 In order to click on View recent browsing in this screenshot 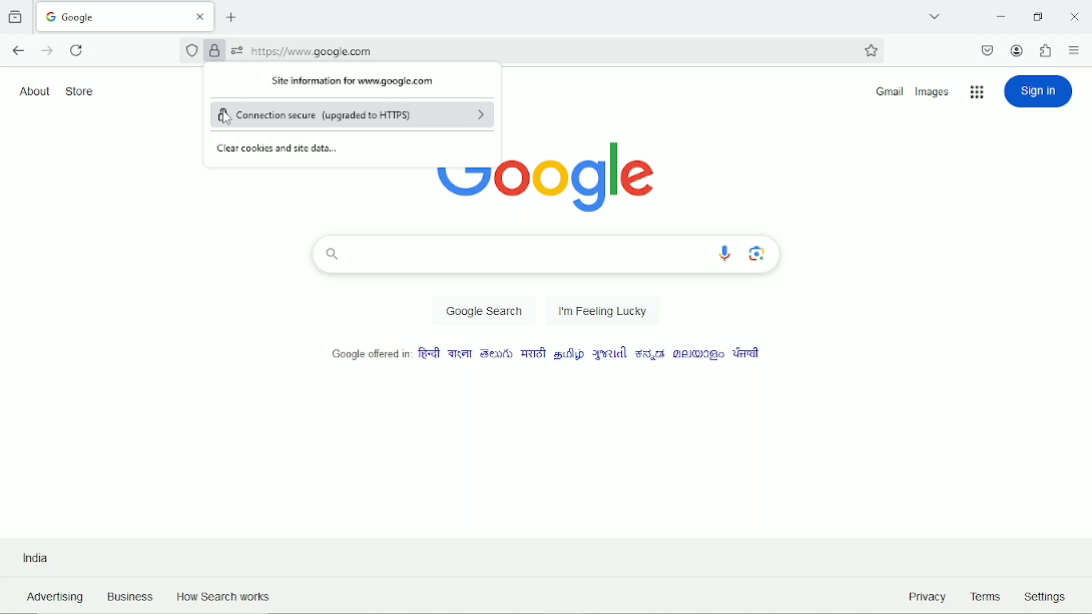, I will do `click(18, 15)`.